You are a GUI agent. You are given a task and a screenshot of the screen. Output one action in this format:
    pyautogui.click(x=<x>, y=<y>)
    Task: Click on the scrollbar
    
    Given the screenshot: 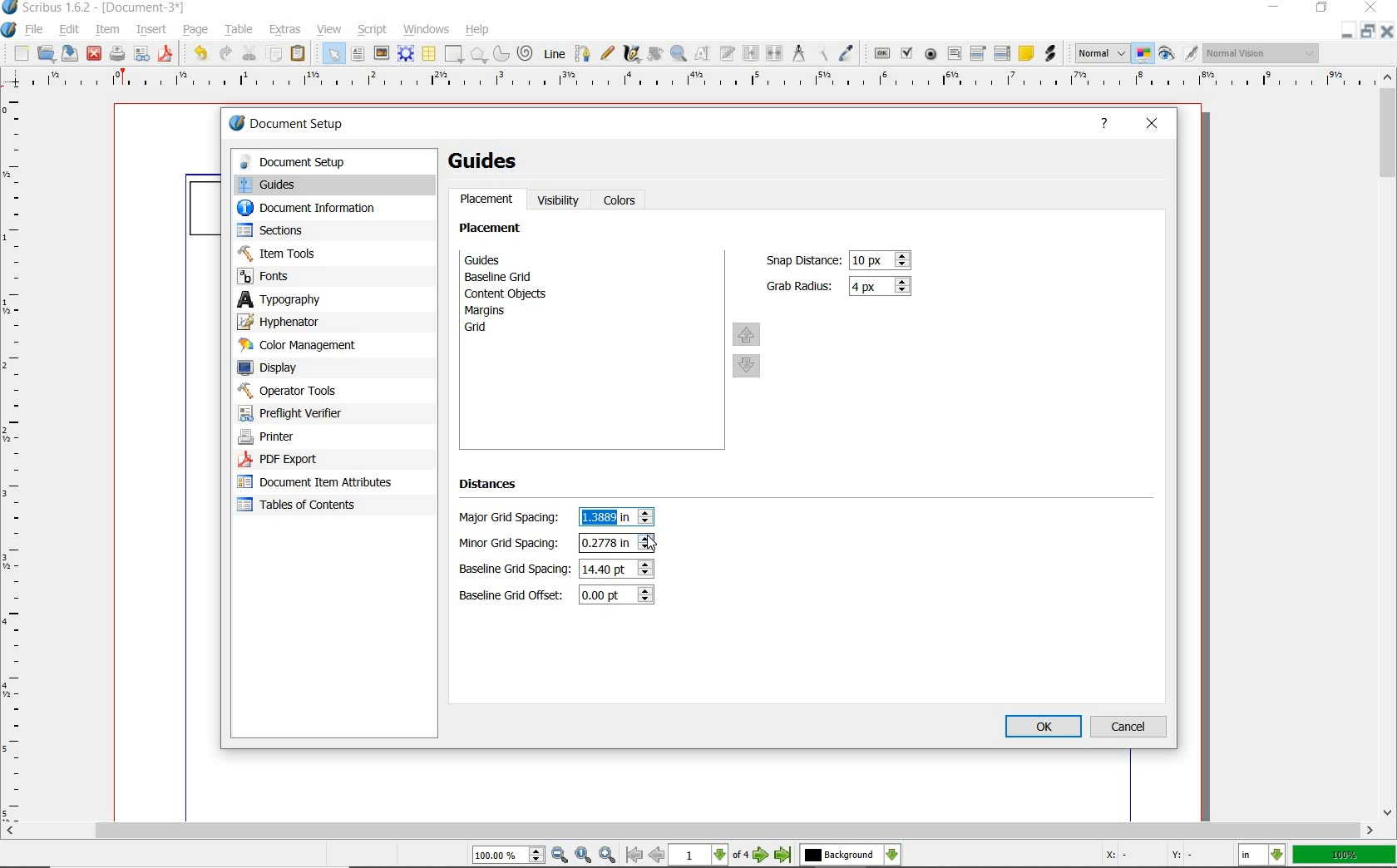 What is the action you would take?
    pyautogui.click(x=689, y=832)
    